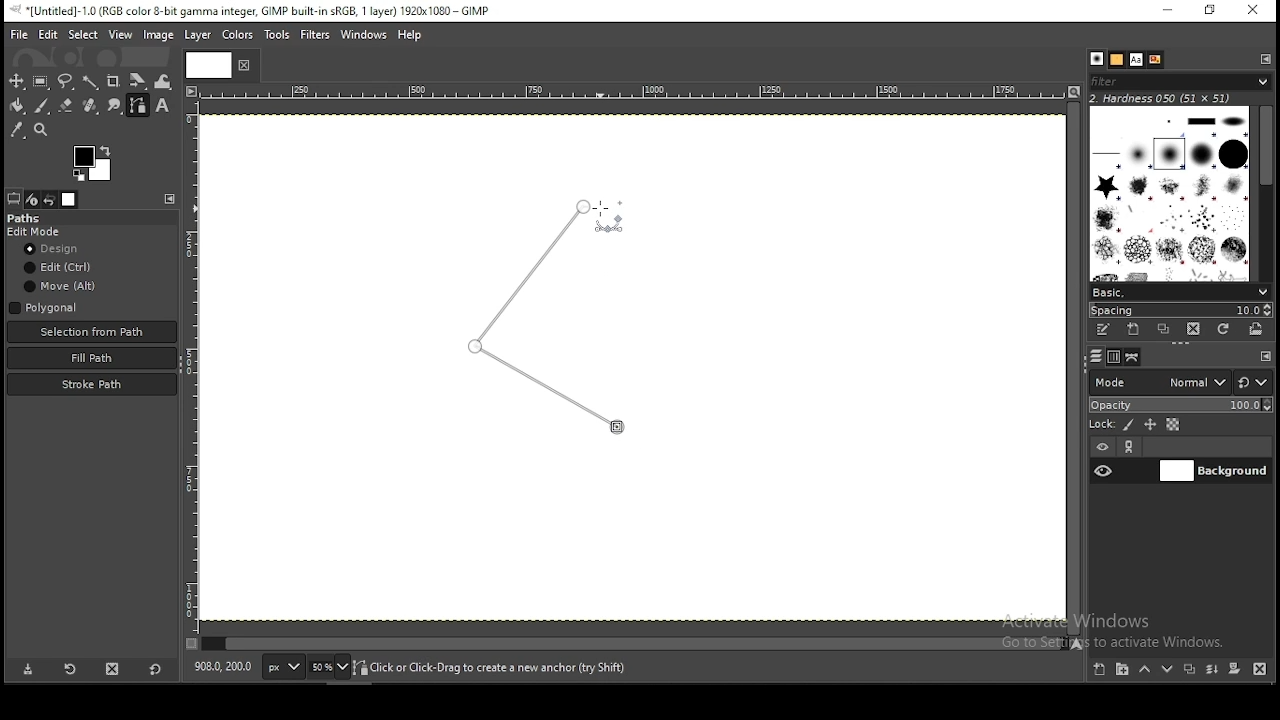 This screenshot has width=1280, height=720. What do you see at coordinates (1180, 406) in the screenshot?
I see `opacity` at bounding box center [1180, 406].